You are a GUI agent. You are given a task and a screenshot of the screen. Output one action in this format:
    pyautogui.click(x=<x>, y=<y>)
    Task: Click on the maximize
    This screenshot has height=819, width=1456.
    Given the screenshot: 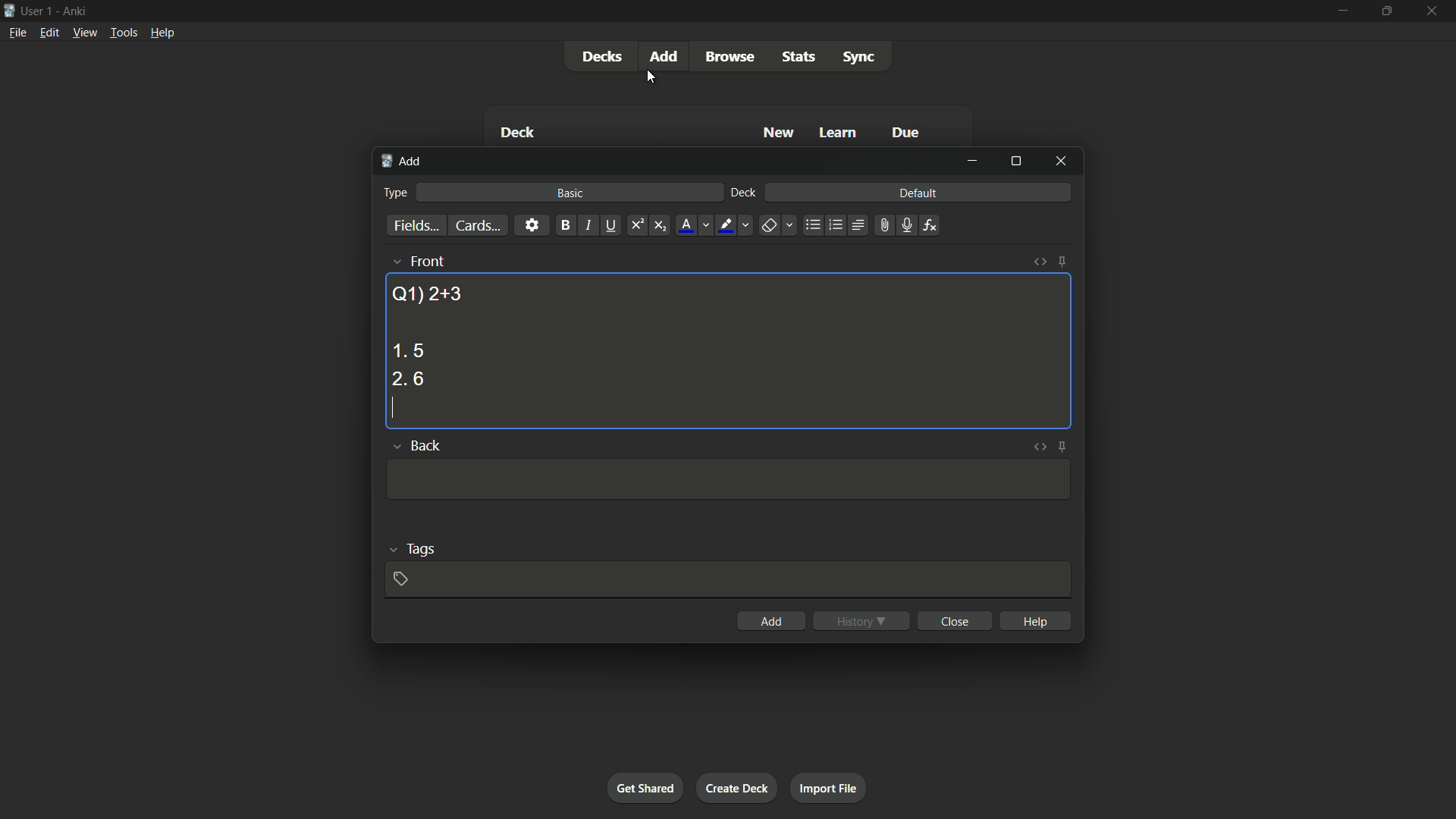 What is the action you would take?
    pyautogui.click(x=1385, y=11)
    